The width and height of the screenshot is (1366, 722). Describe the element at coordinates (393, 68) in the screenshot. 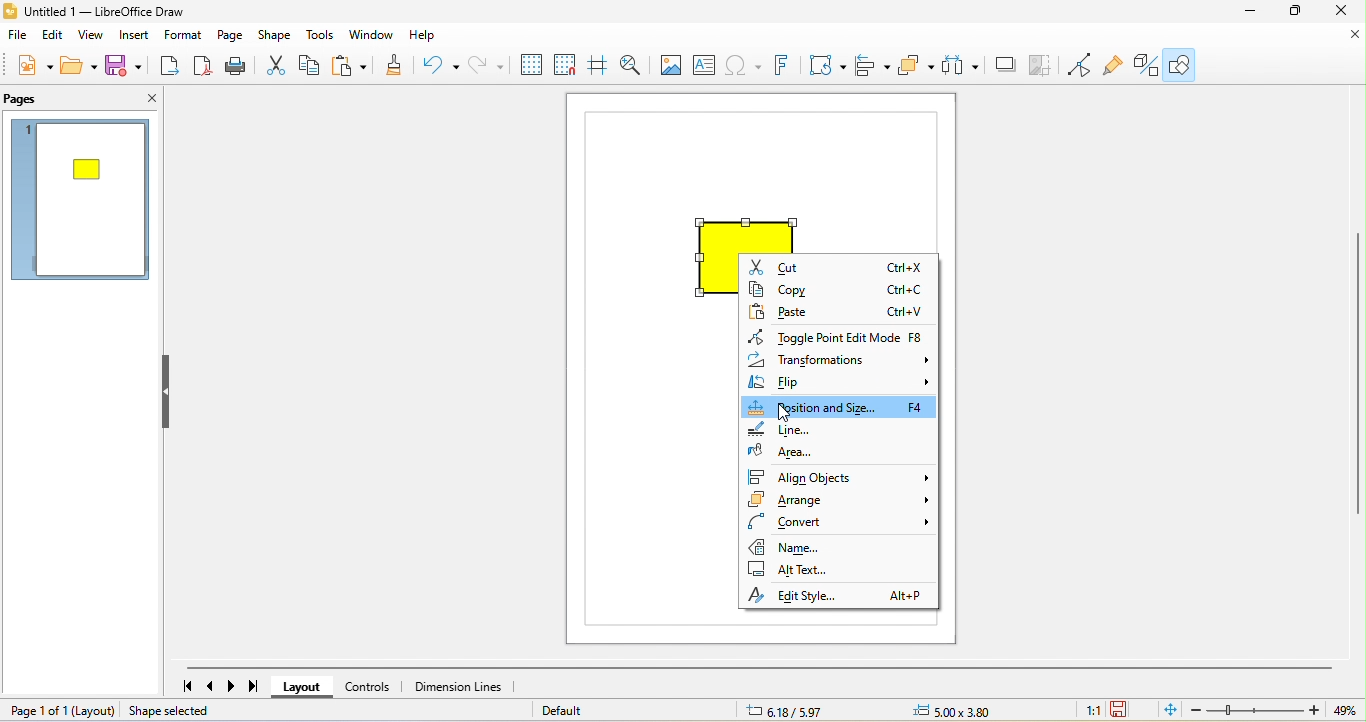

I see `clone formatting` at that location.